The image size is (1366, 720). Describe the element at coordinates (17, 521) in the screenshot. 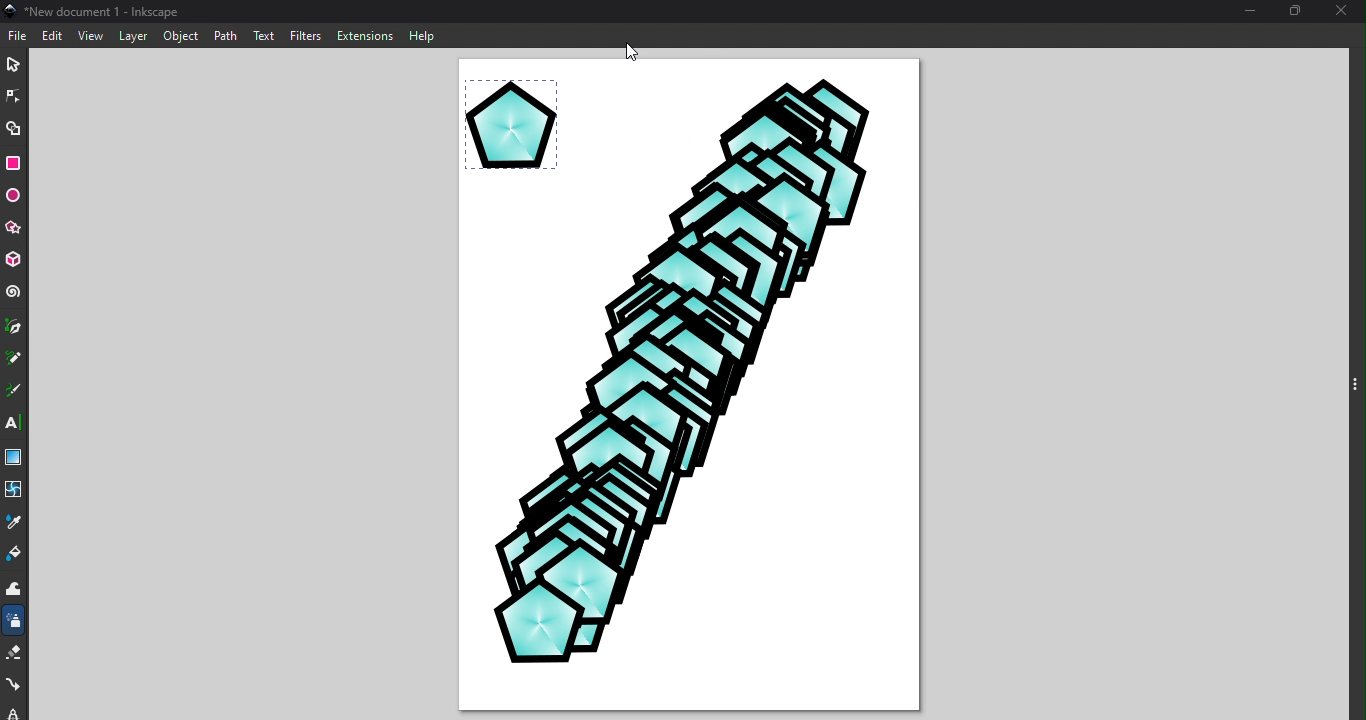

I see `Dropper tool` at that location.